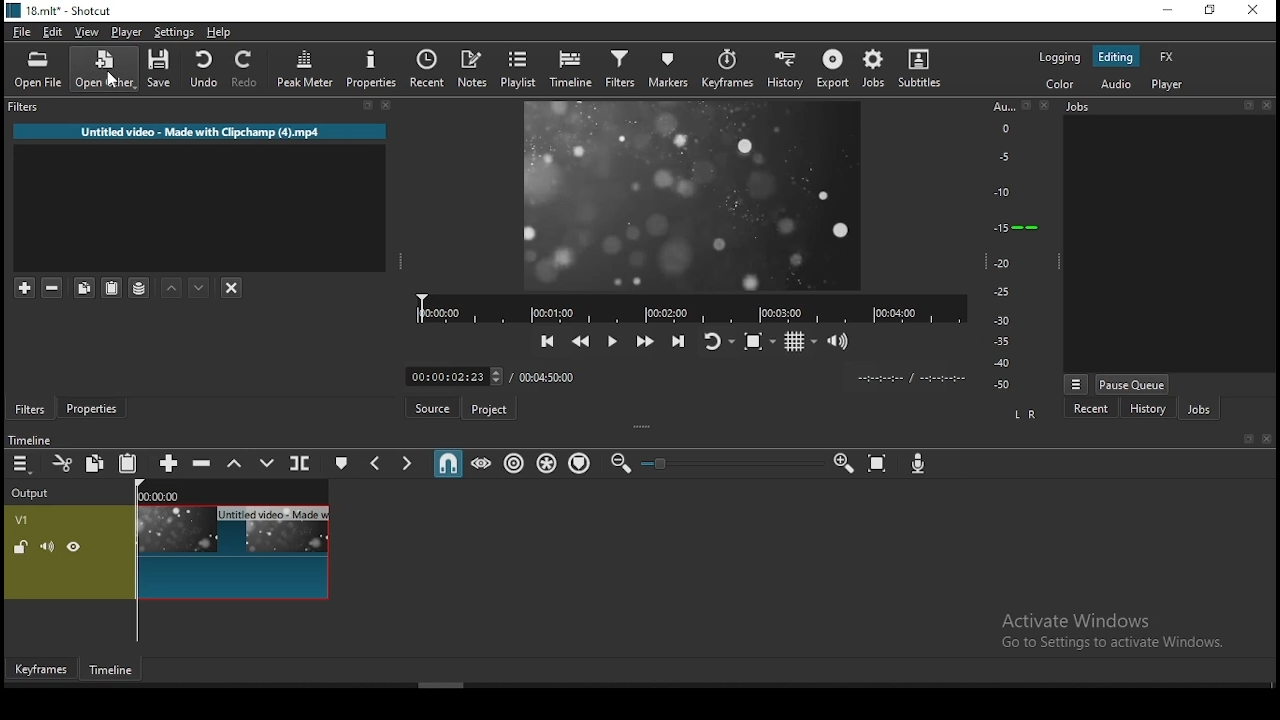 This screenshot has height=720, width=1280. Describe the element at coordinates (432, 408) in the screenshot. I see `source` at that location.